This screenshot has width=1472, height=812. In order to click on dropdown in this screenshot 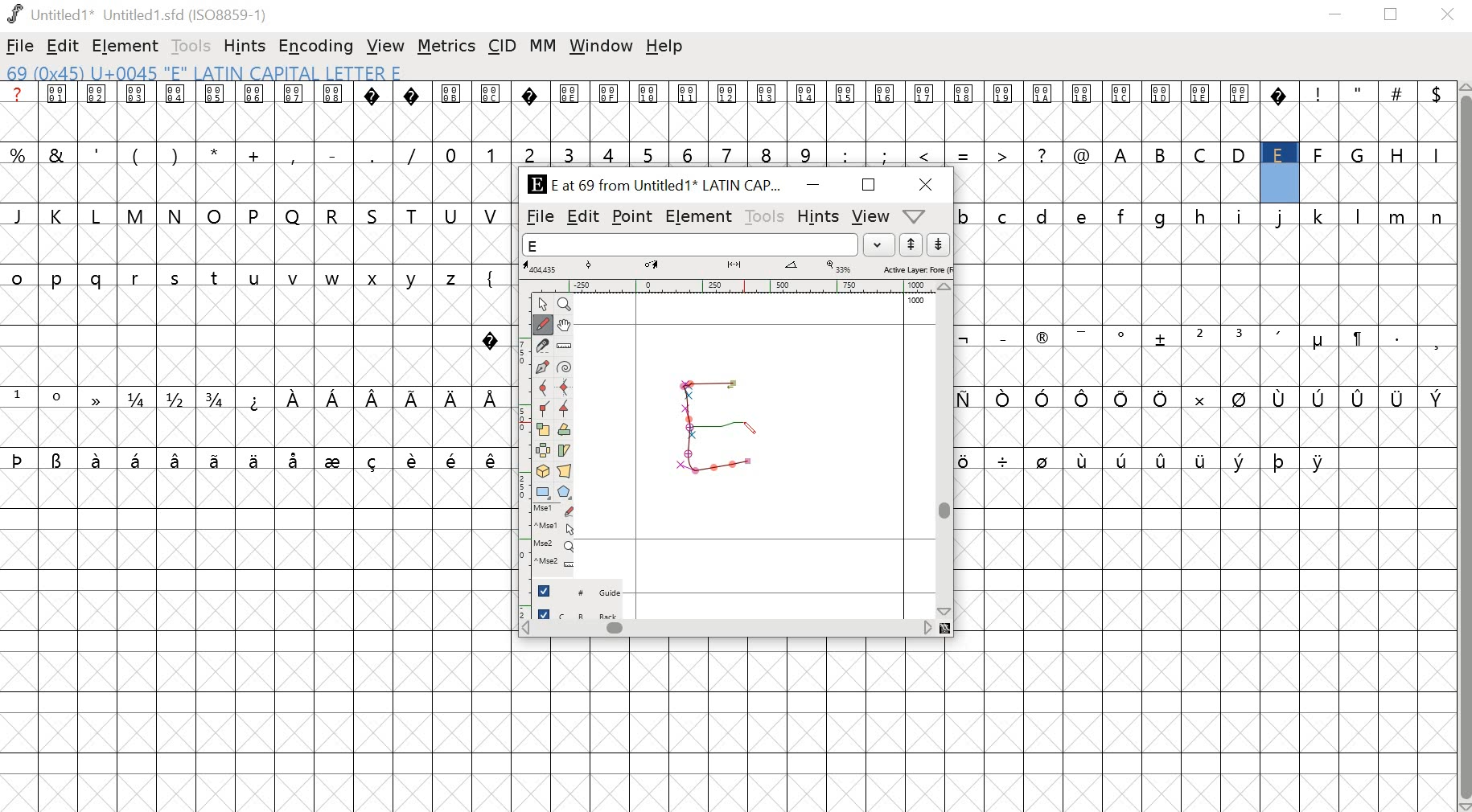, I will do `click(880, 244)`.